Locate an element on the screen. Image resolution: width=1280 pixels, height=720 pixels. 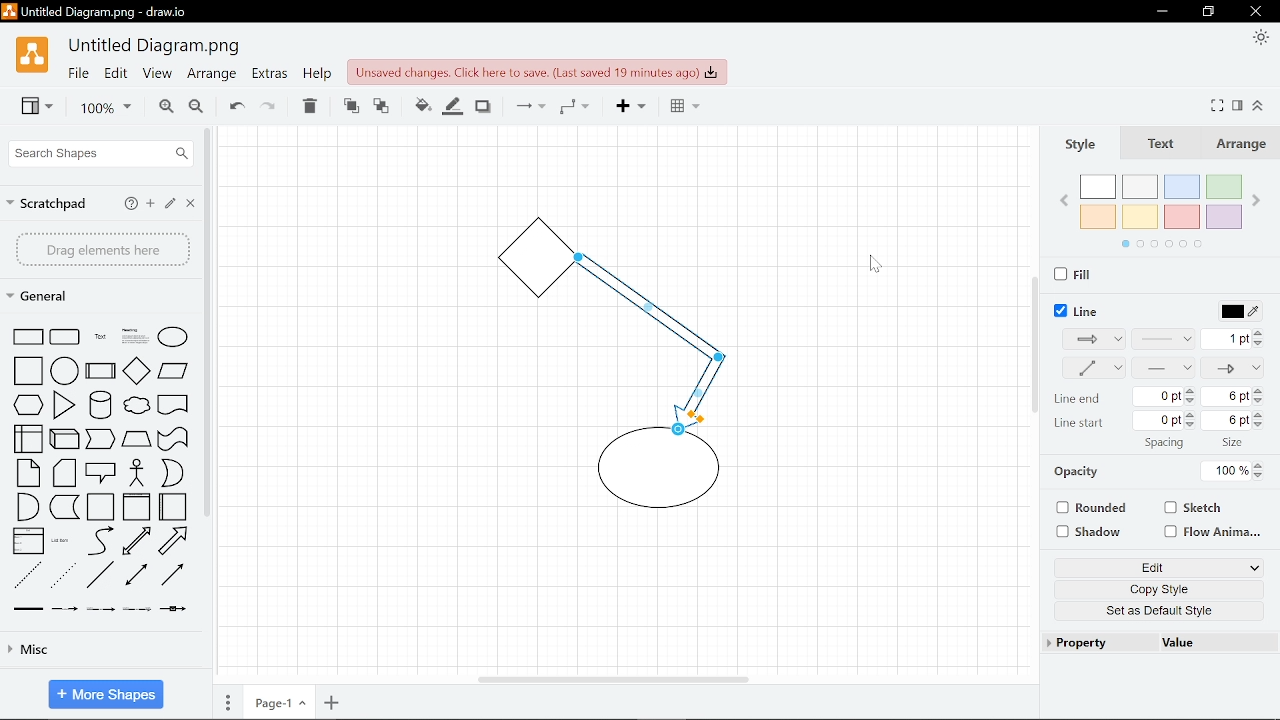
Set as Default Style is located at coordinates (1162, 609).